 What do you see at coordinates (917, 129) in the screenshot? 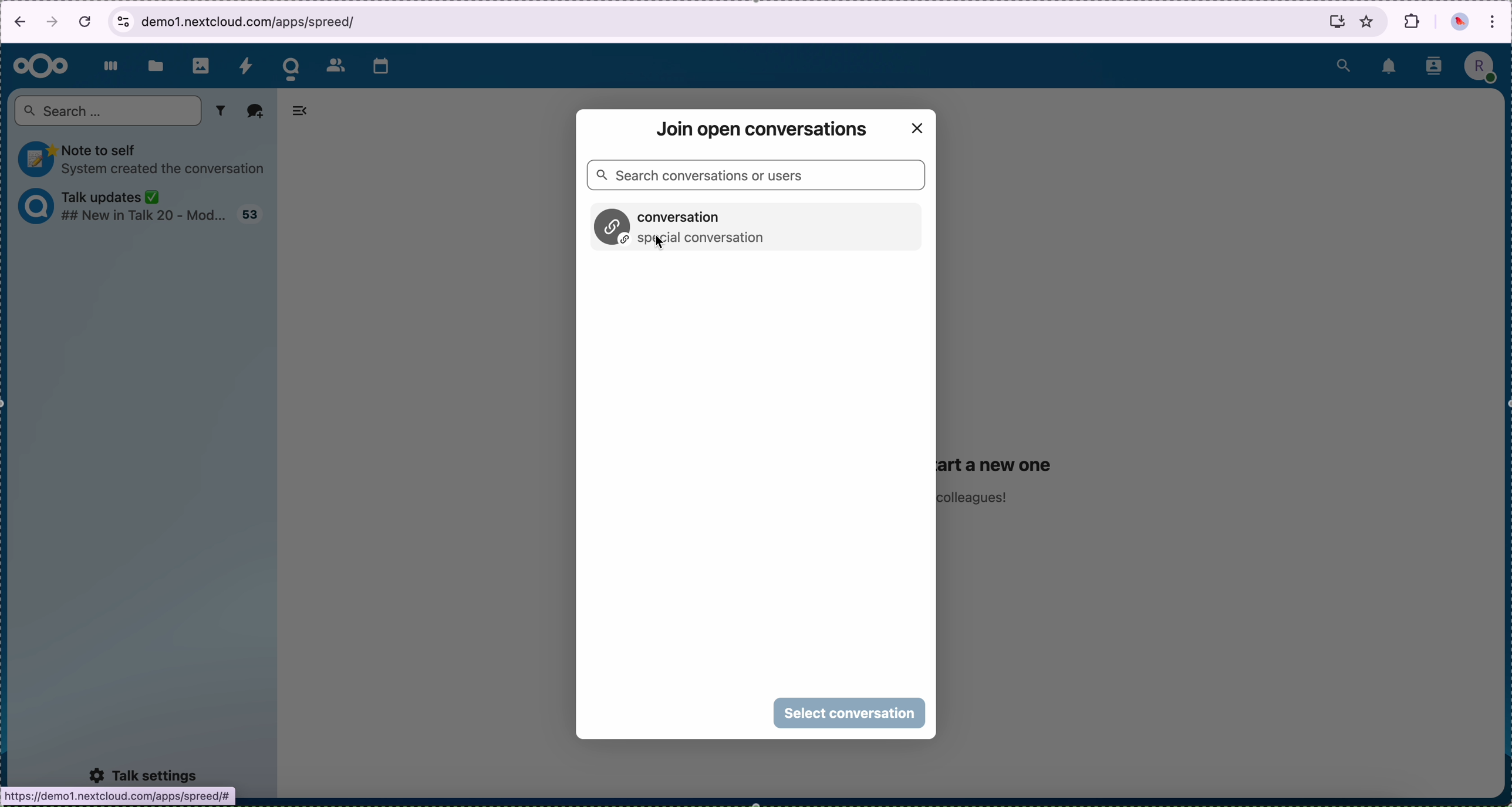
I see `close` at bounding box center [917, 129].